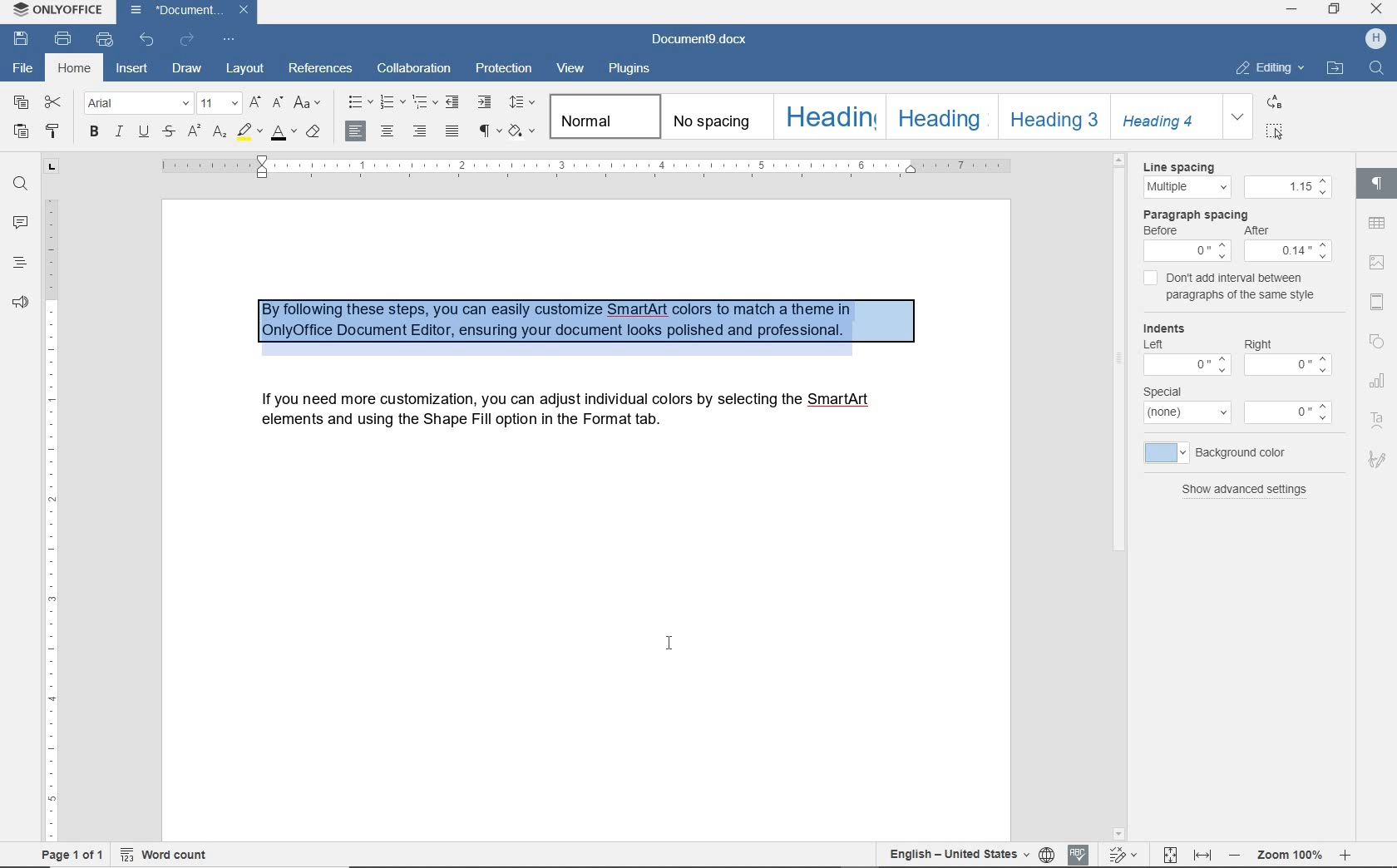  Describe the element at coordinates (187, 69) in the screenshot. I see `draw` at that location.